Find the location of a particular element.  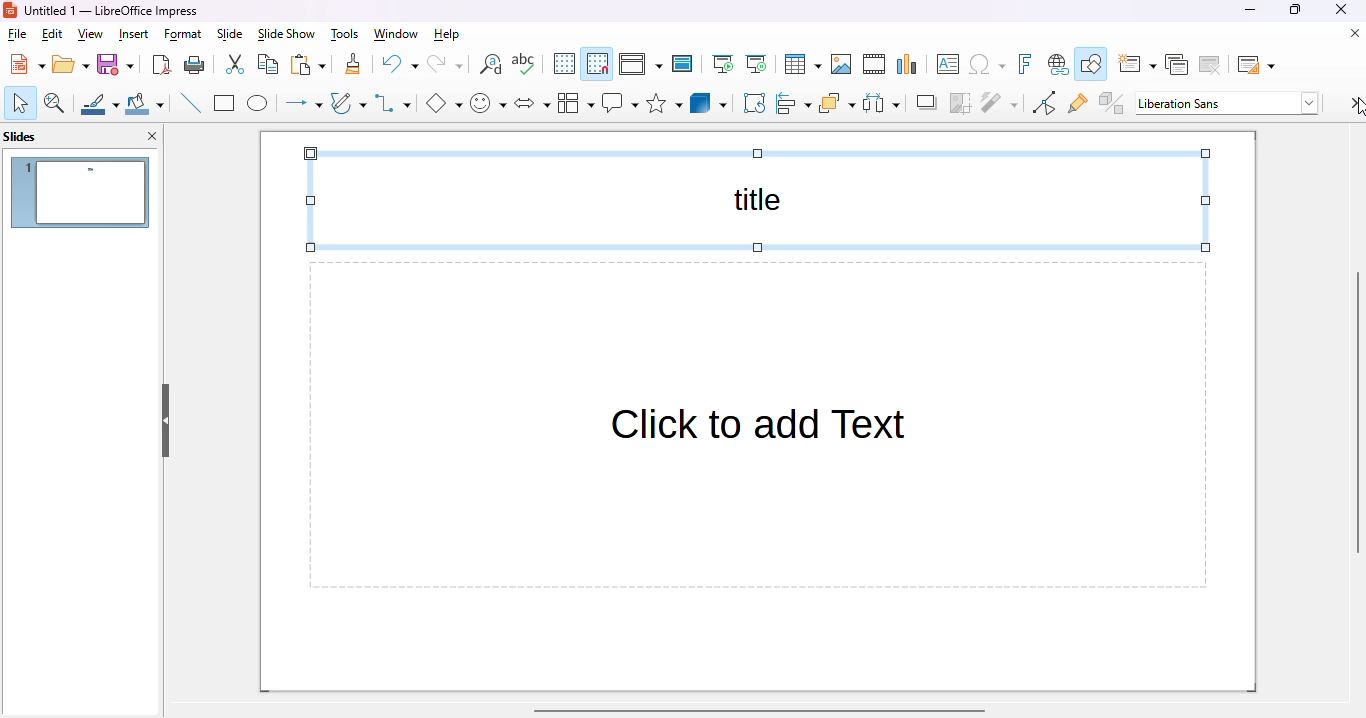

close document is located at coordinates (1351, 33).